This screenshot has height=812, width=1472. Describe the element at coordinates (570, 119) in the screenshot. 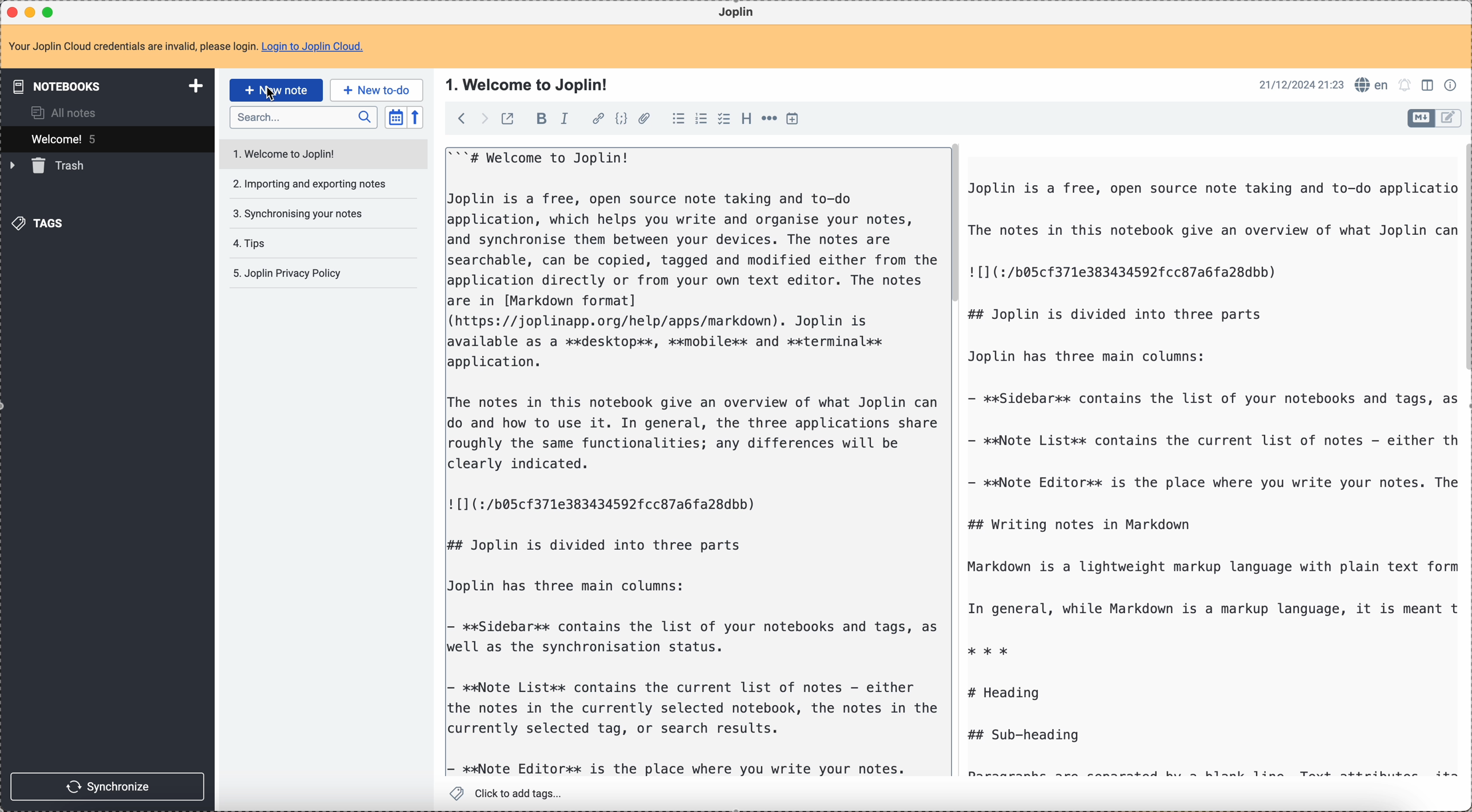

I see `italic` at that location.